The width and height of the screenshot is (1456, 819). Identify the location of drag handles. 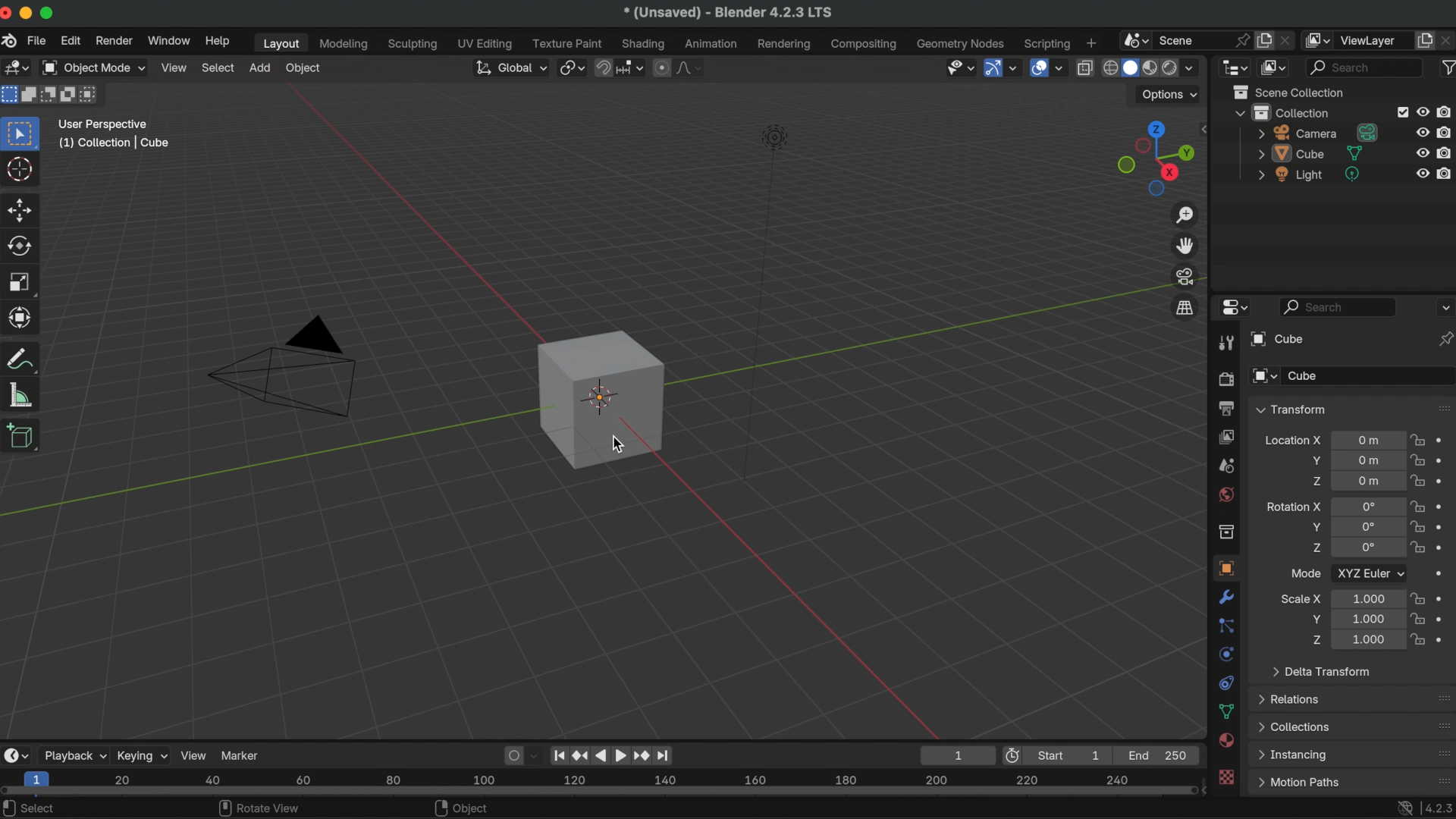
(1441, 726).